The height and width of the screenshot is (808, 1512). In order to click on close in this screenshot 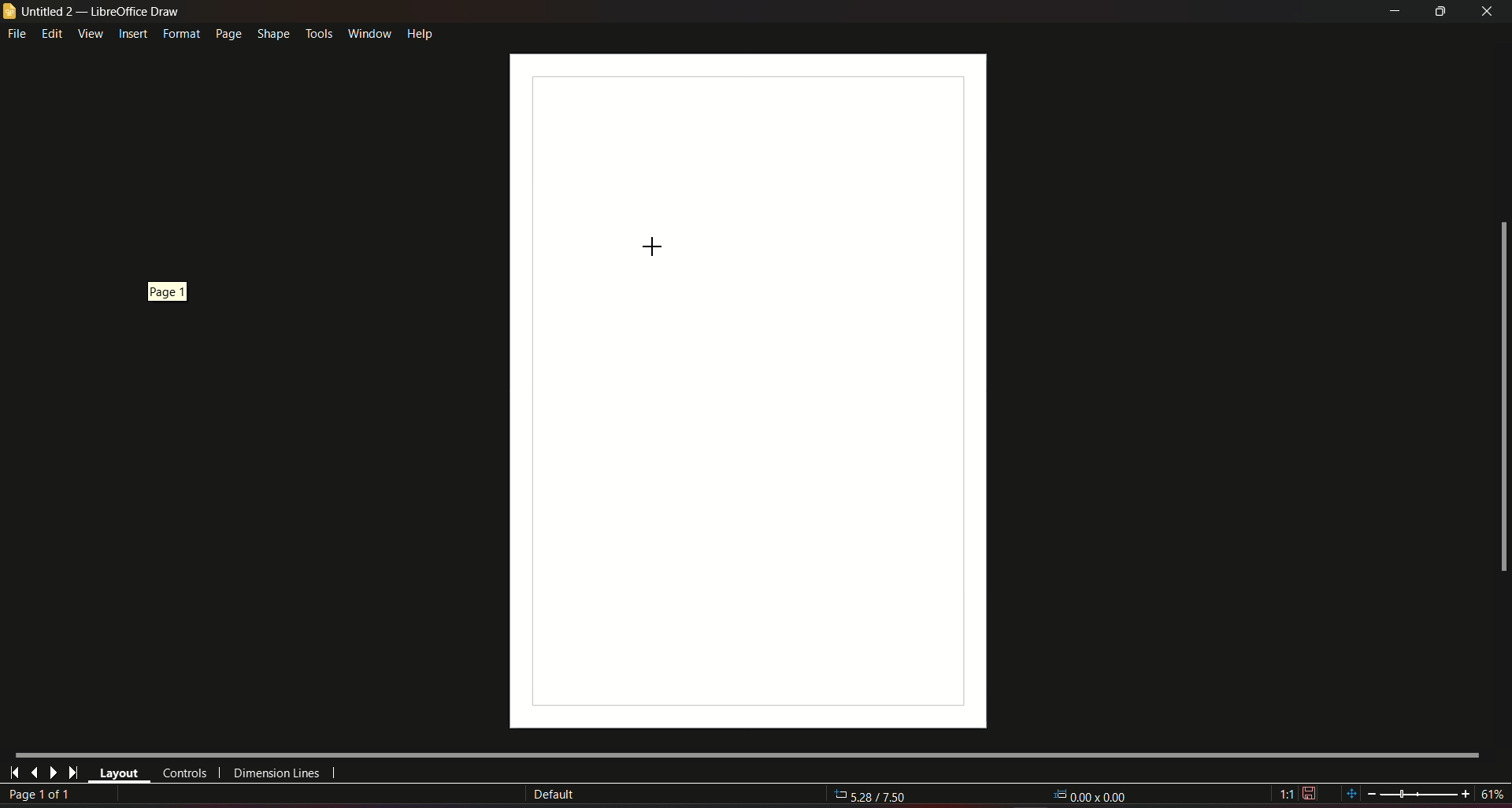, I will do `click(1488, 11)`.